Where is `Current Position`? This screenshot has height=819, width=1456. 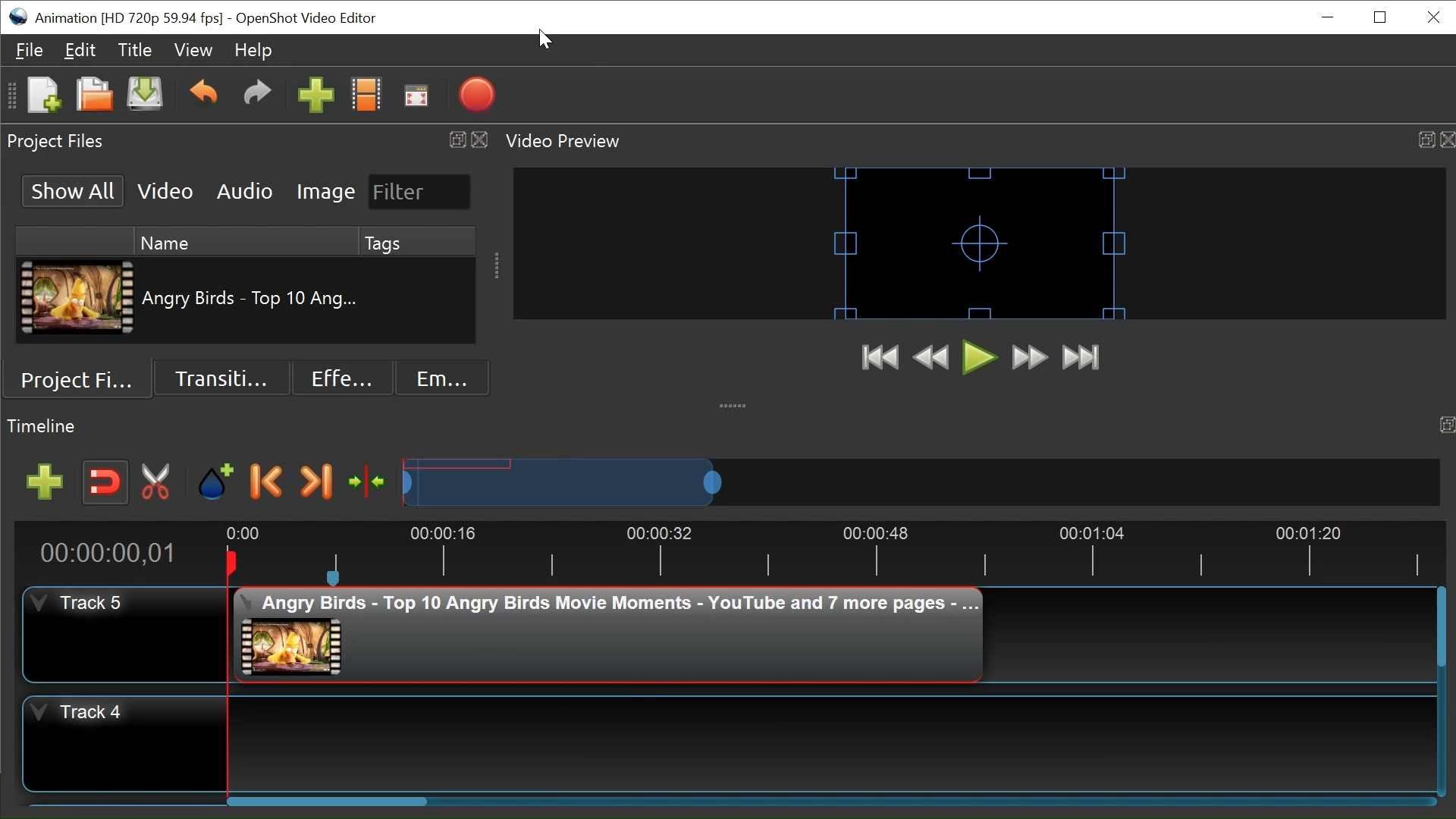 Current Position is located at coordinates (111, 551).